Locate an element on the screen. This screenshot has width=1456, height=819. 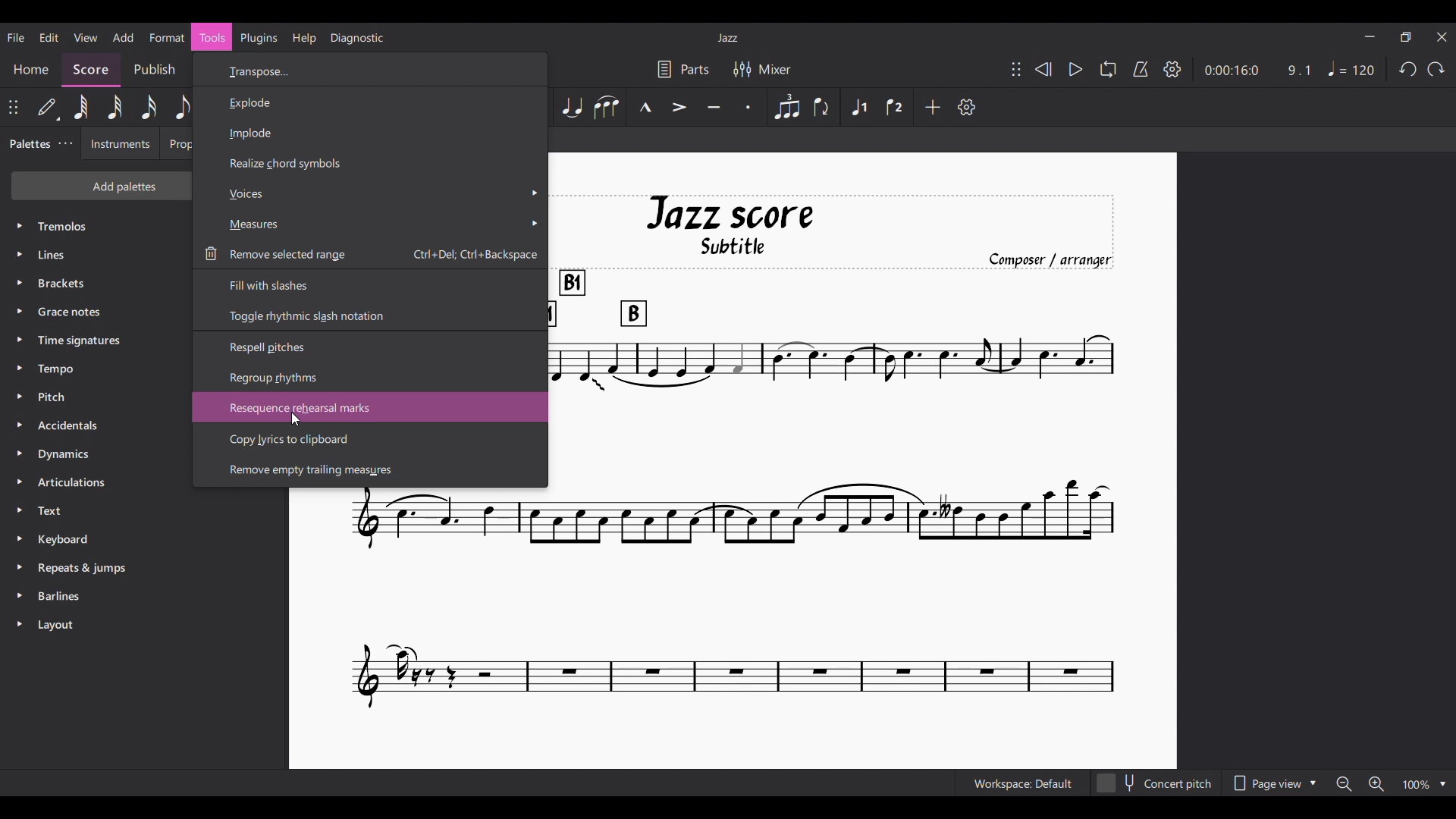
Rewind is located at coordinates (1044, 69).